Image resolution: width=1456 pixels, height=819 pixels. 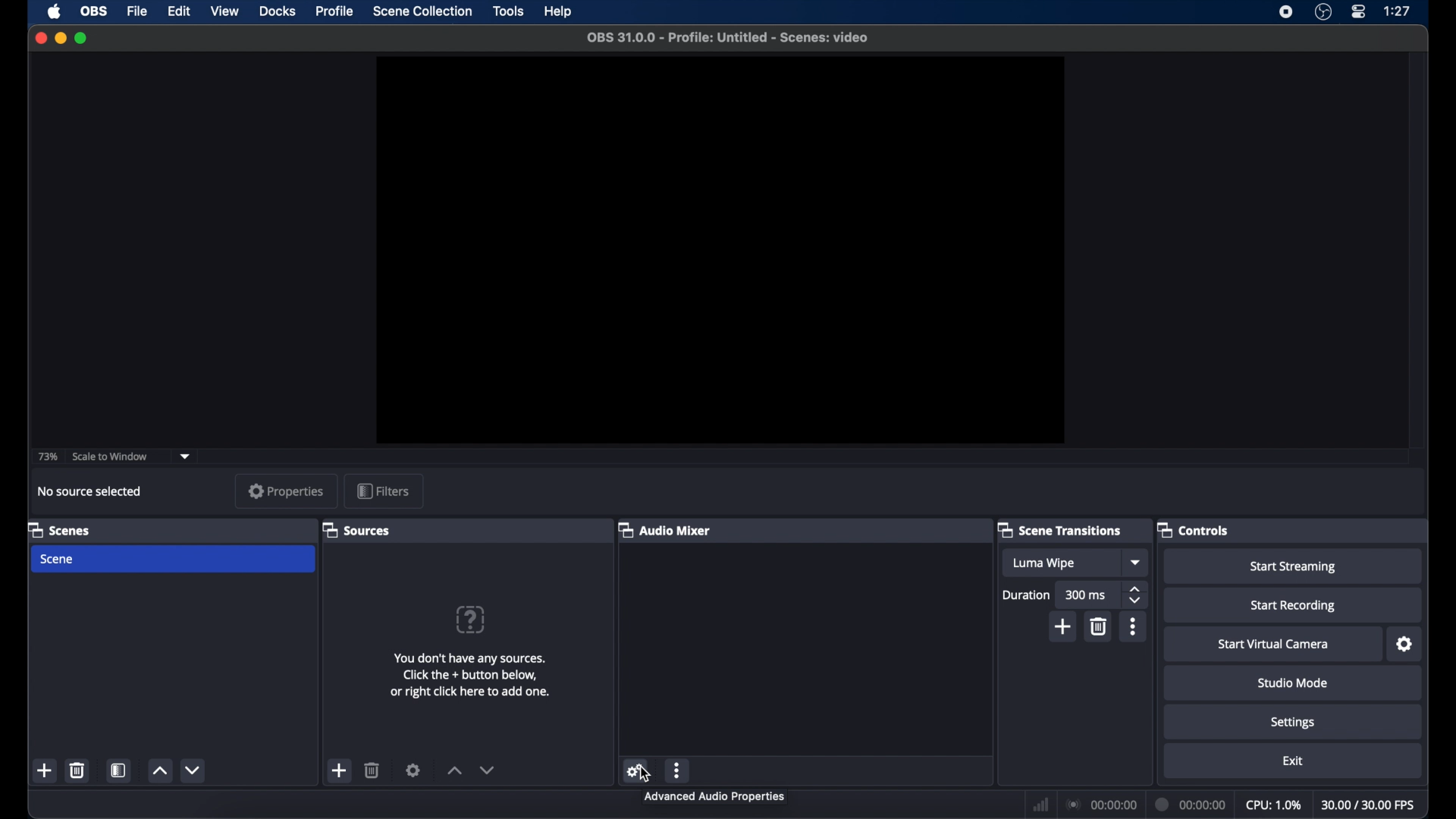 What do you see at coordinates (510, 11) in the screenshot?
I see `tools` at bounding box center [510, 11].